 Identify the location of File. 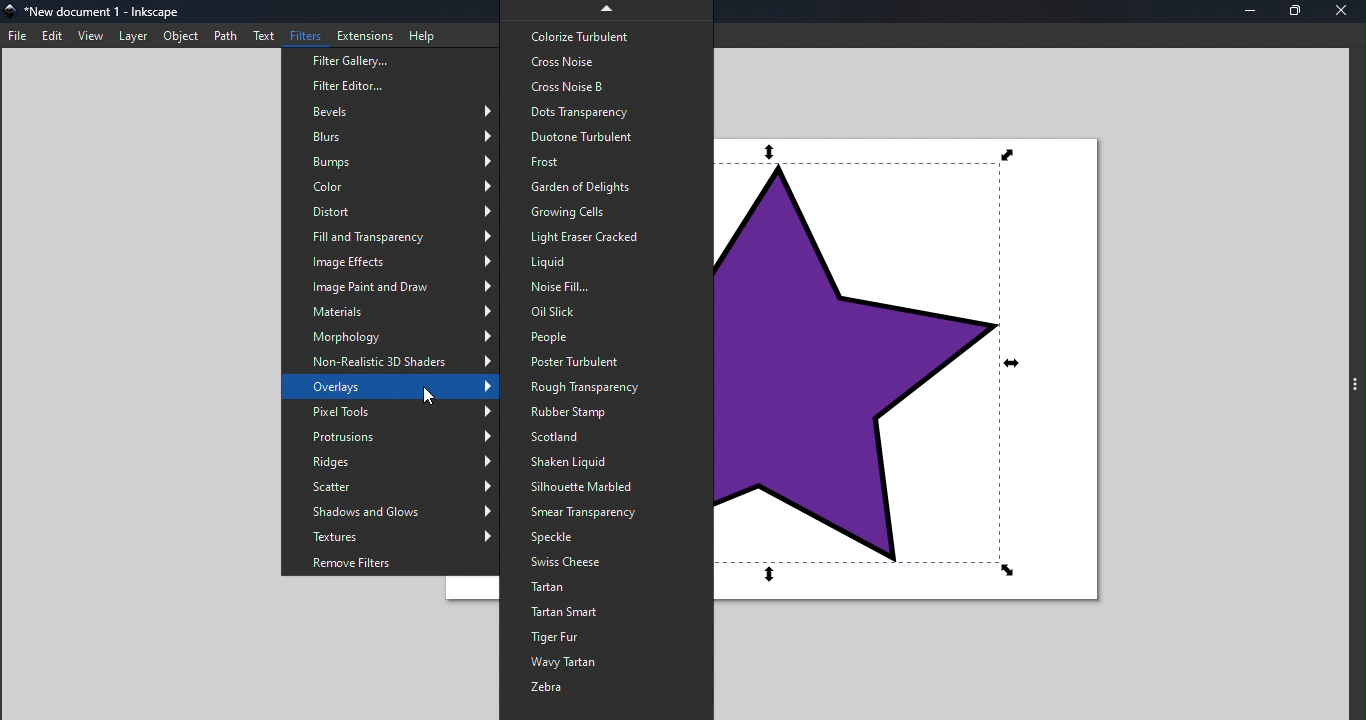
(18, 37).